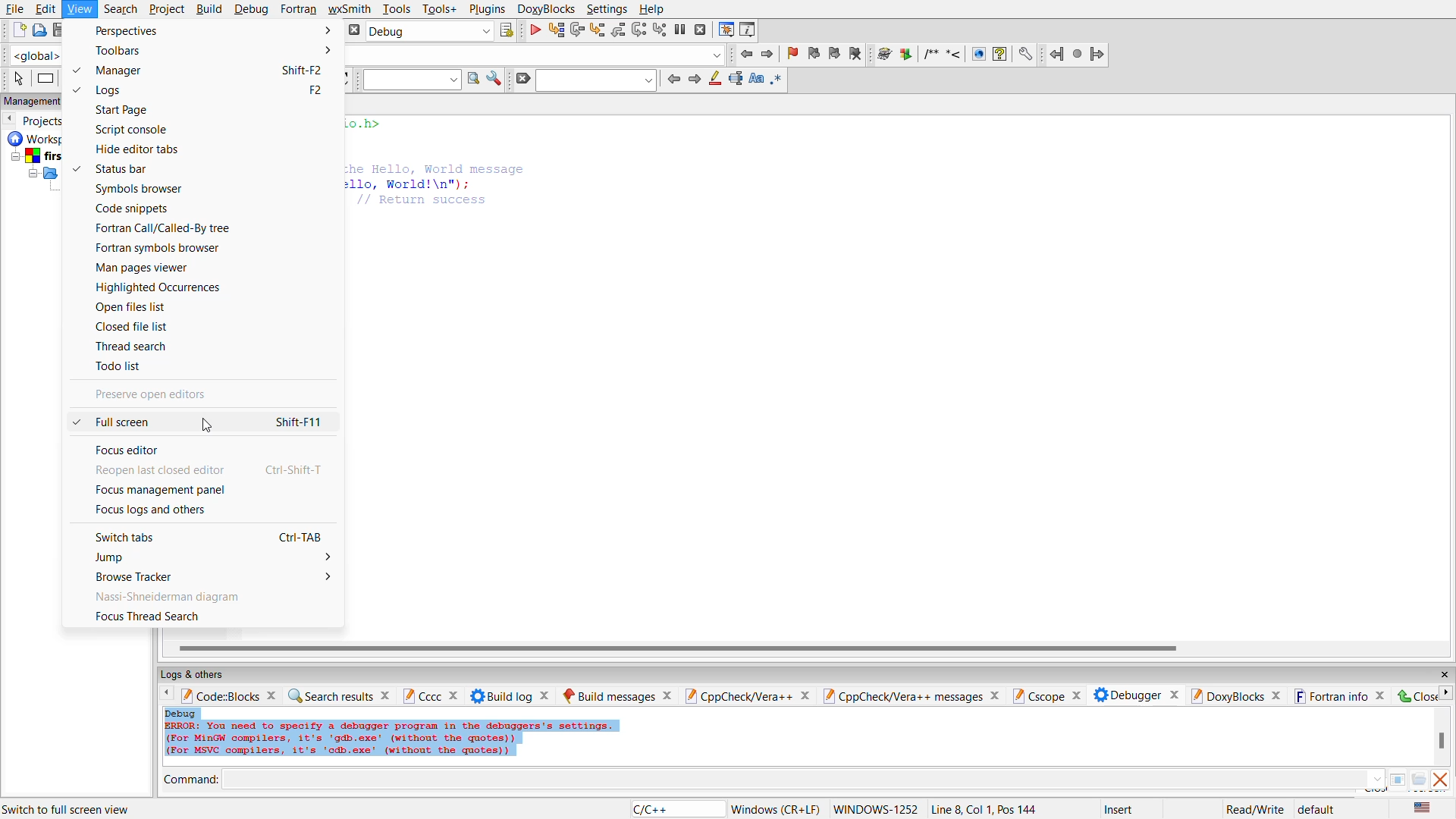  What do you see at coordinates (217, 557) in the screenshot?
I see `jump` at bounding box center [217, 557].